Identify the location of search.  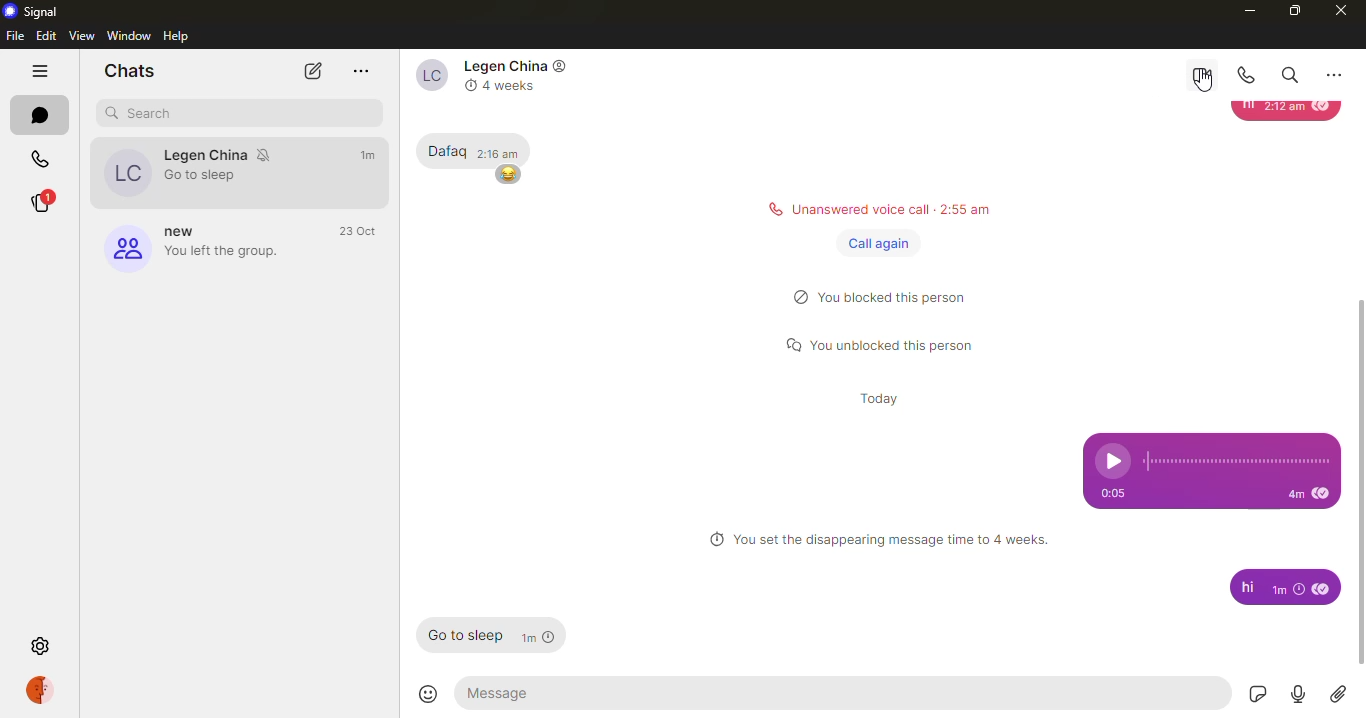
(1290, 74).